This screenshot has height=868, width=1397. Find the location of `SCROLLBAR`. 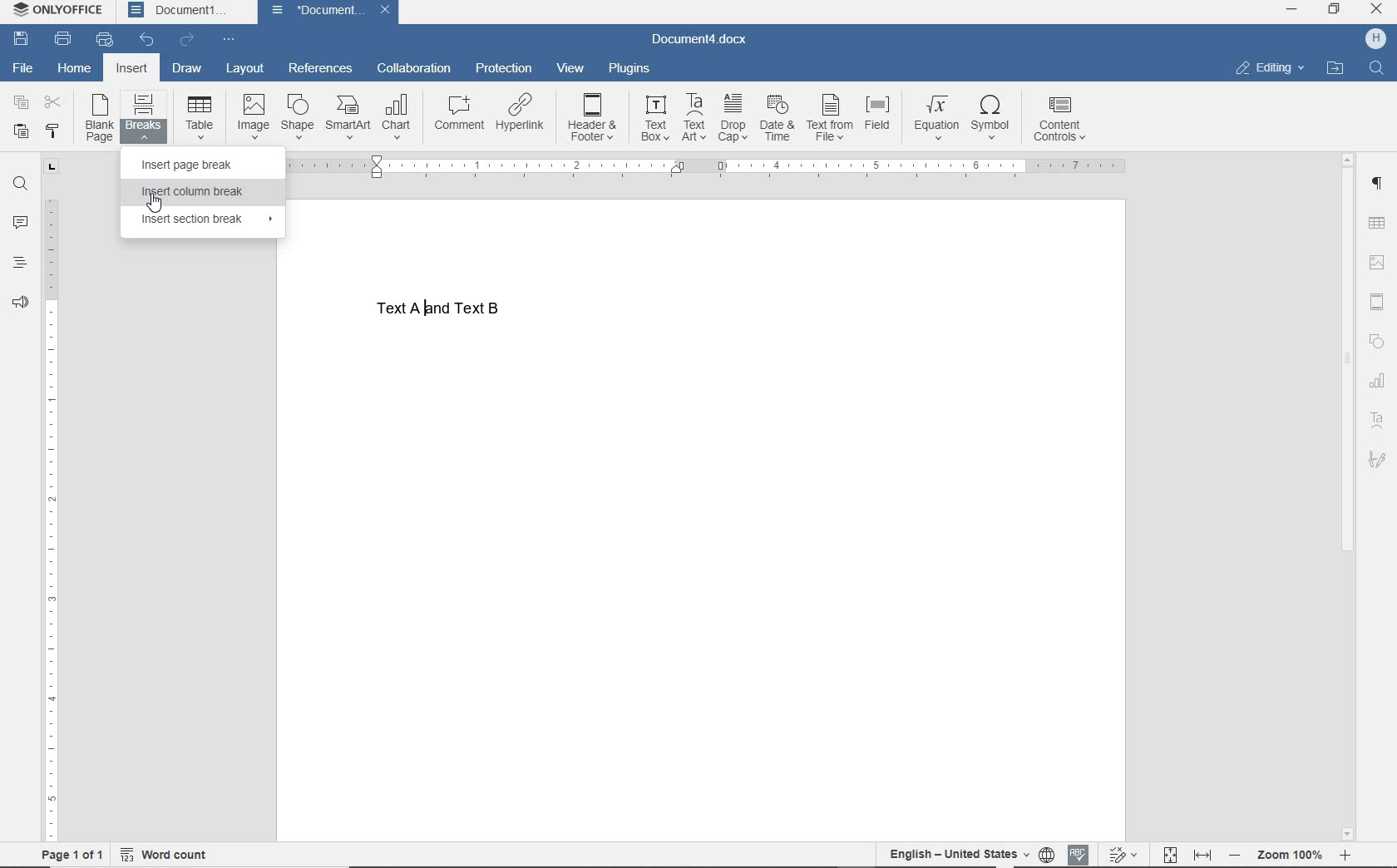

SCROLLBAR is located at coordinates (1345, 495).